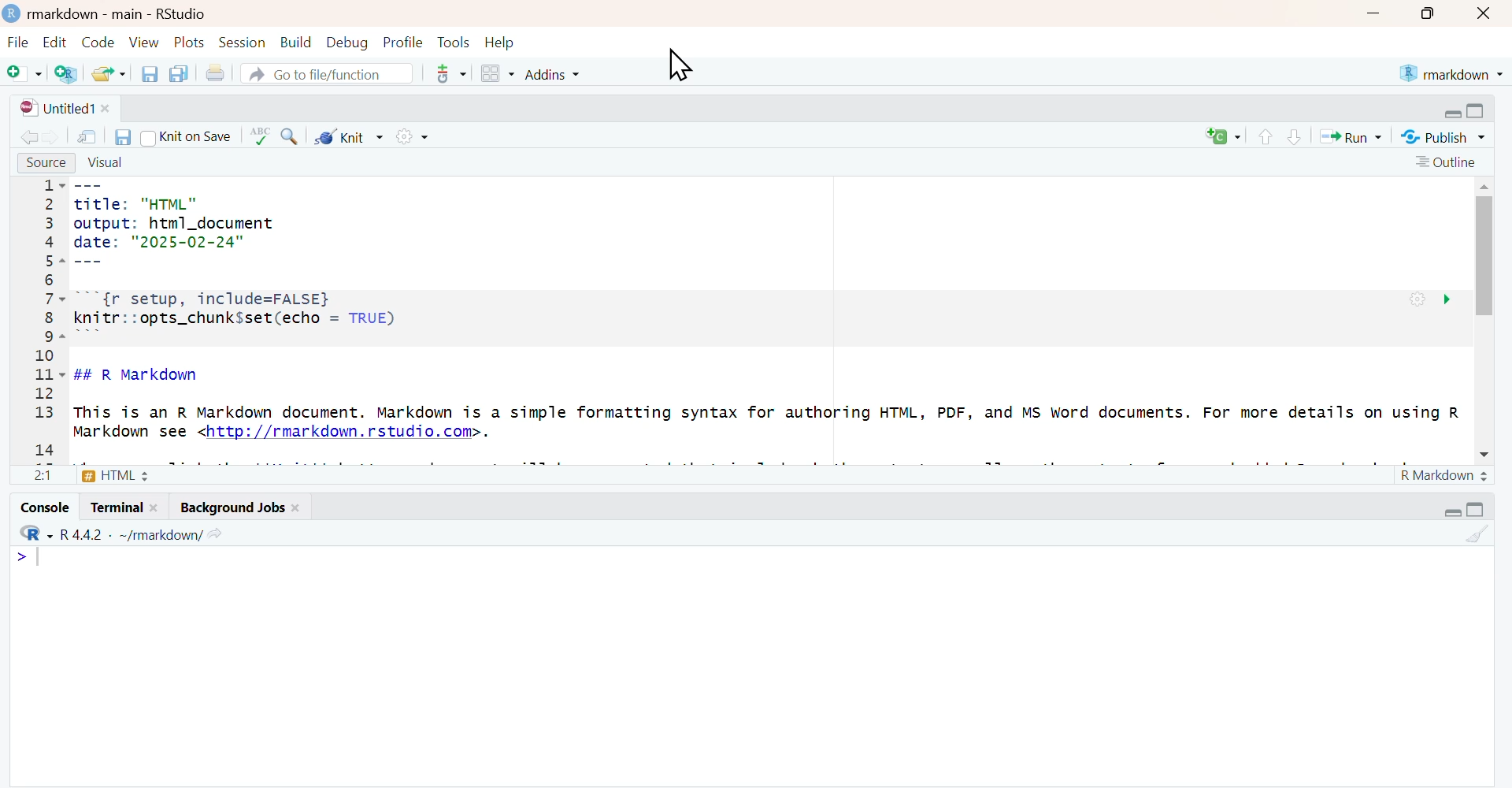 The width and height of the screenshot is (1512, 788). Describe the element at coordinates (66, 72) in the screenshot. I see `Create a project` at that location.